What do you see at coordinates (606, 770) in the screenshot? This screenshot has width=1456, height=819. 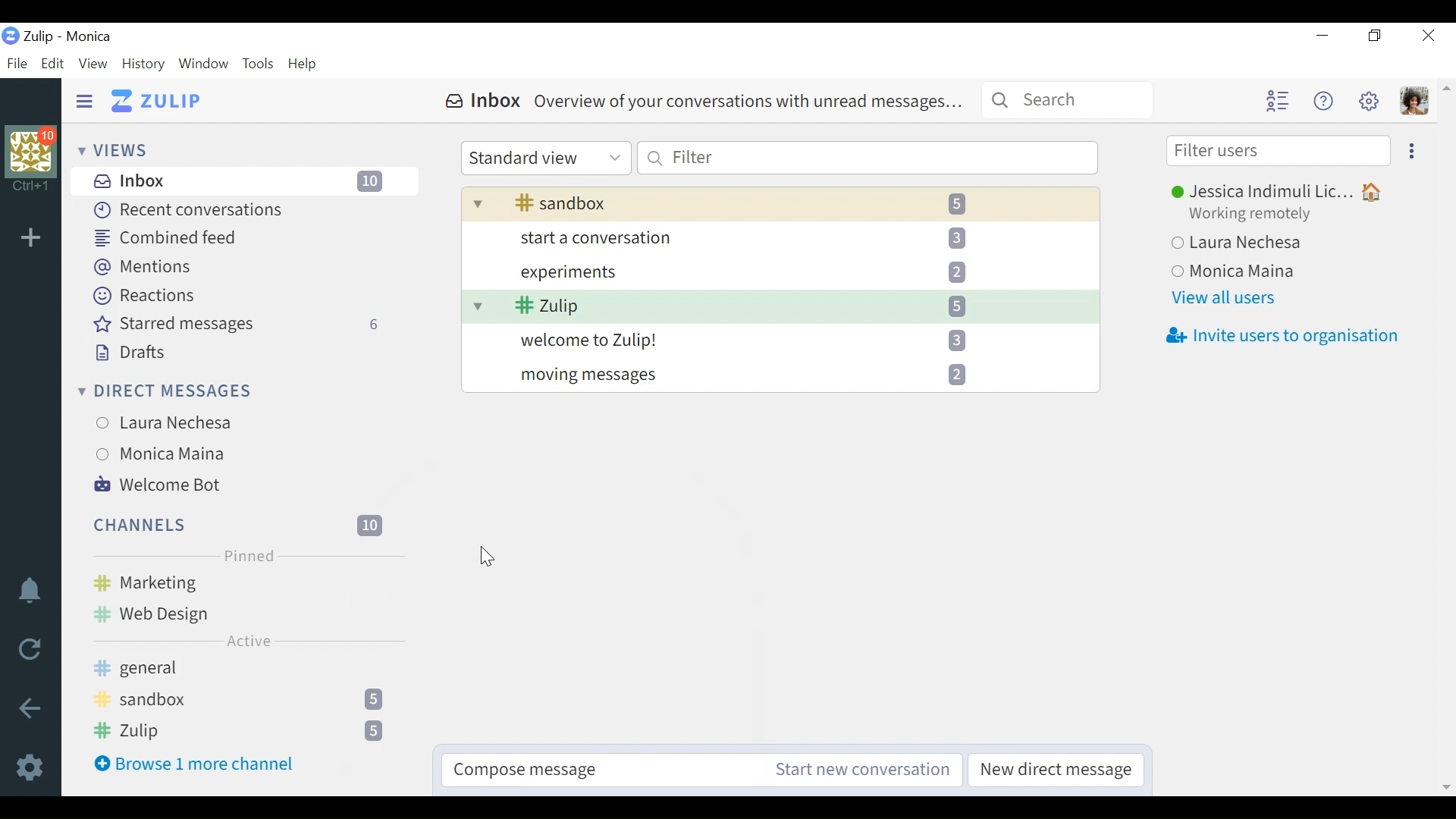 I see `Compose message` at bounding box center [606, 770].